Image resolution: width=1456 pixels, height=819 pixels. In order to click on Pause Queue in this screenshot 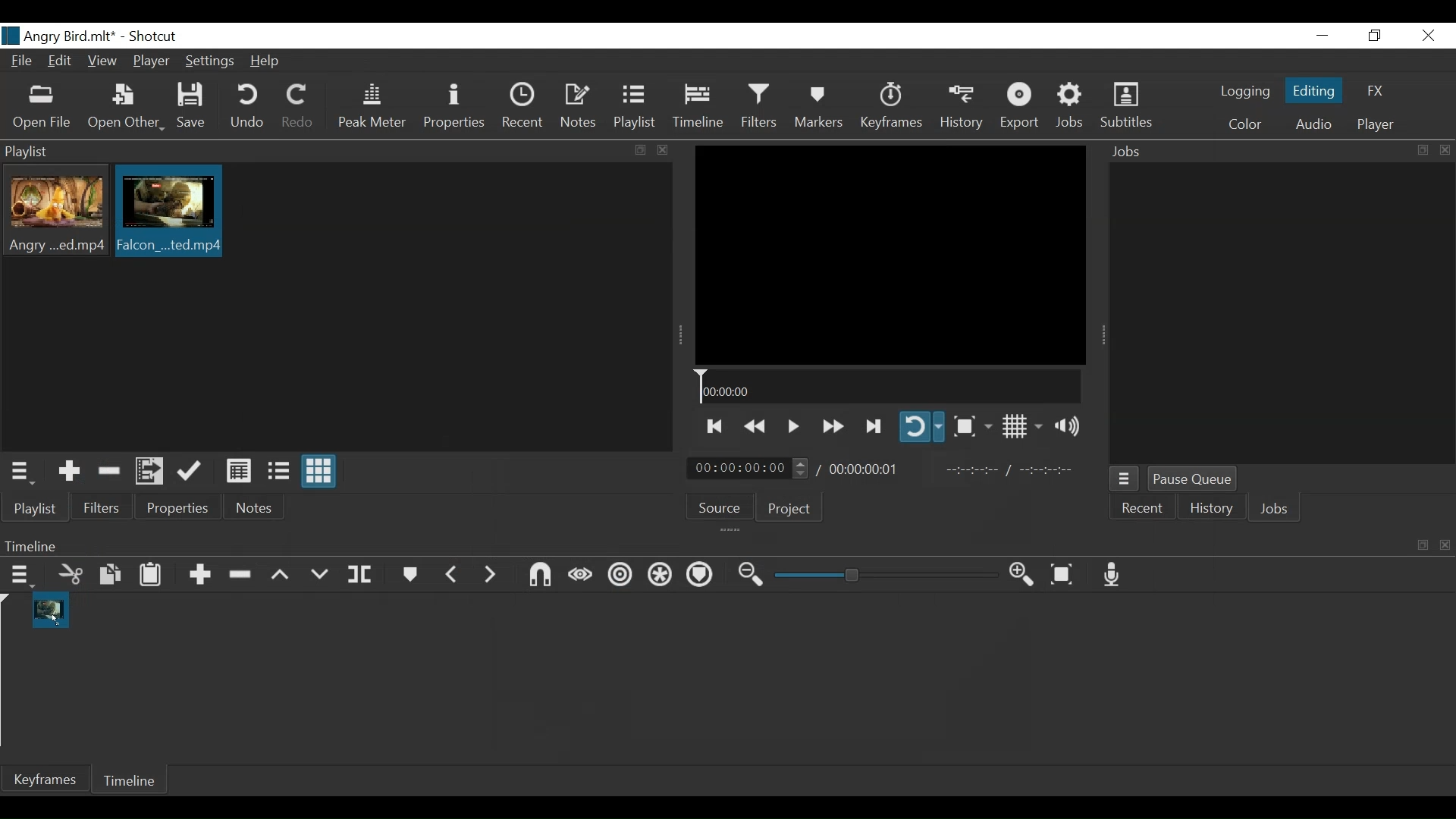, I will do `click(1194, 480)`.